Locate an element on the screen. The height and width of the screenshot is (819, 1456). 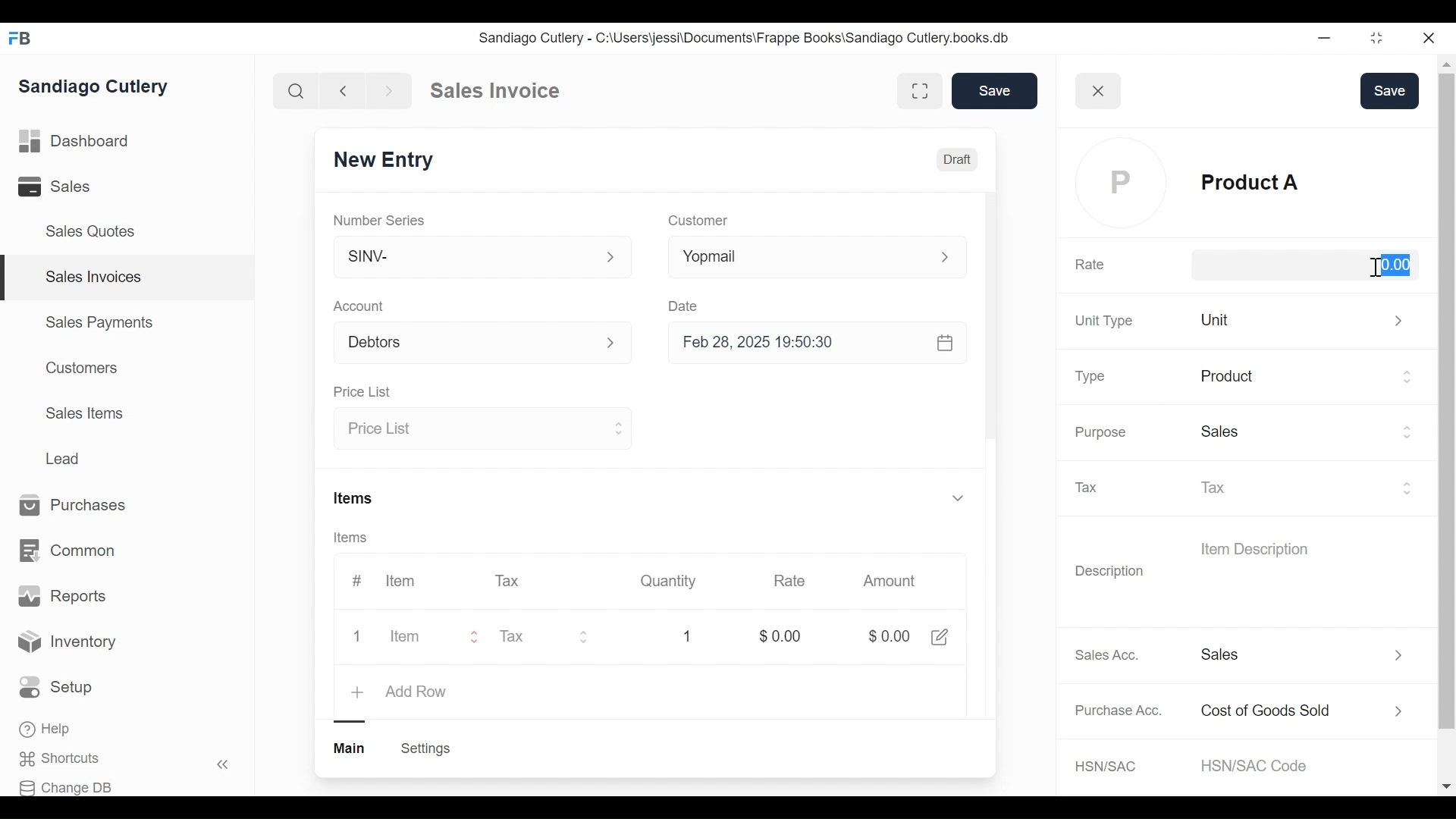
Sales Acc. is located at coordinates (1104, 655).